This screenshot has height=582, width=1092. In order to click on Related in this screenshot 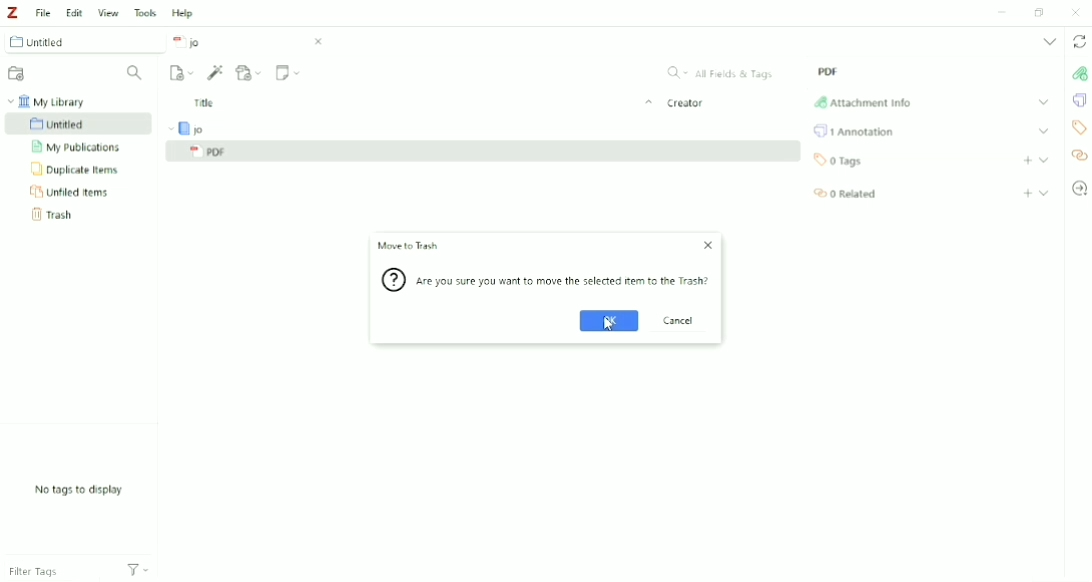, I will do `click(844, 194)`.